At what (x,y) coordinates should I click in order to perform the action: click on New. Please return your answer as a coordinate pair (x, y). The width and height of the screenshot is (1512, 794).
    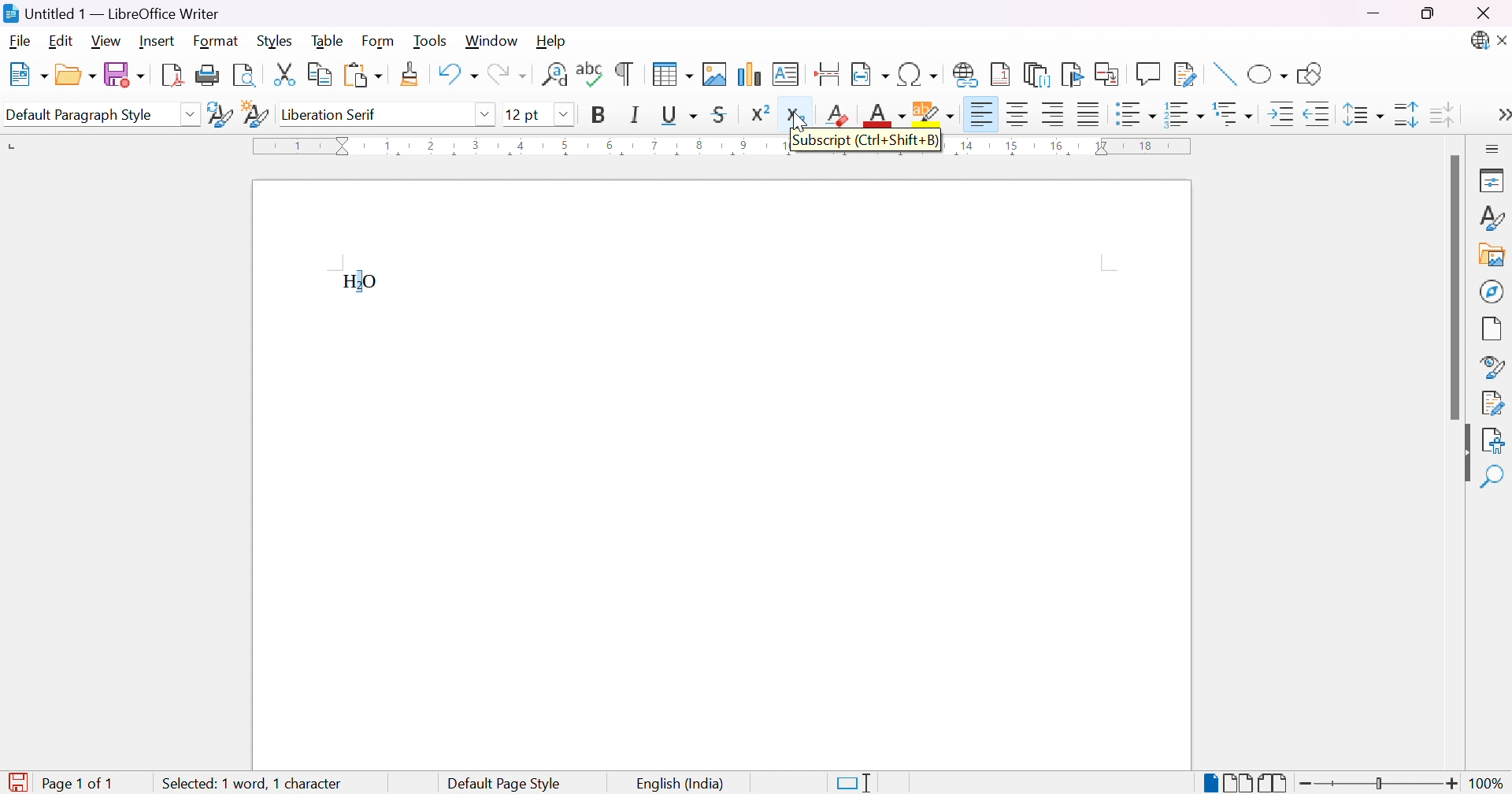
    Looking at the image, I should click on (27, 76).